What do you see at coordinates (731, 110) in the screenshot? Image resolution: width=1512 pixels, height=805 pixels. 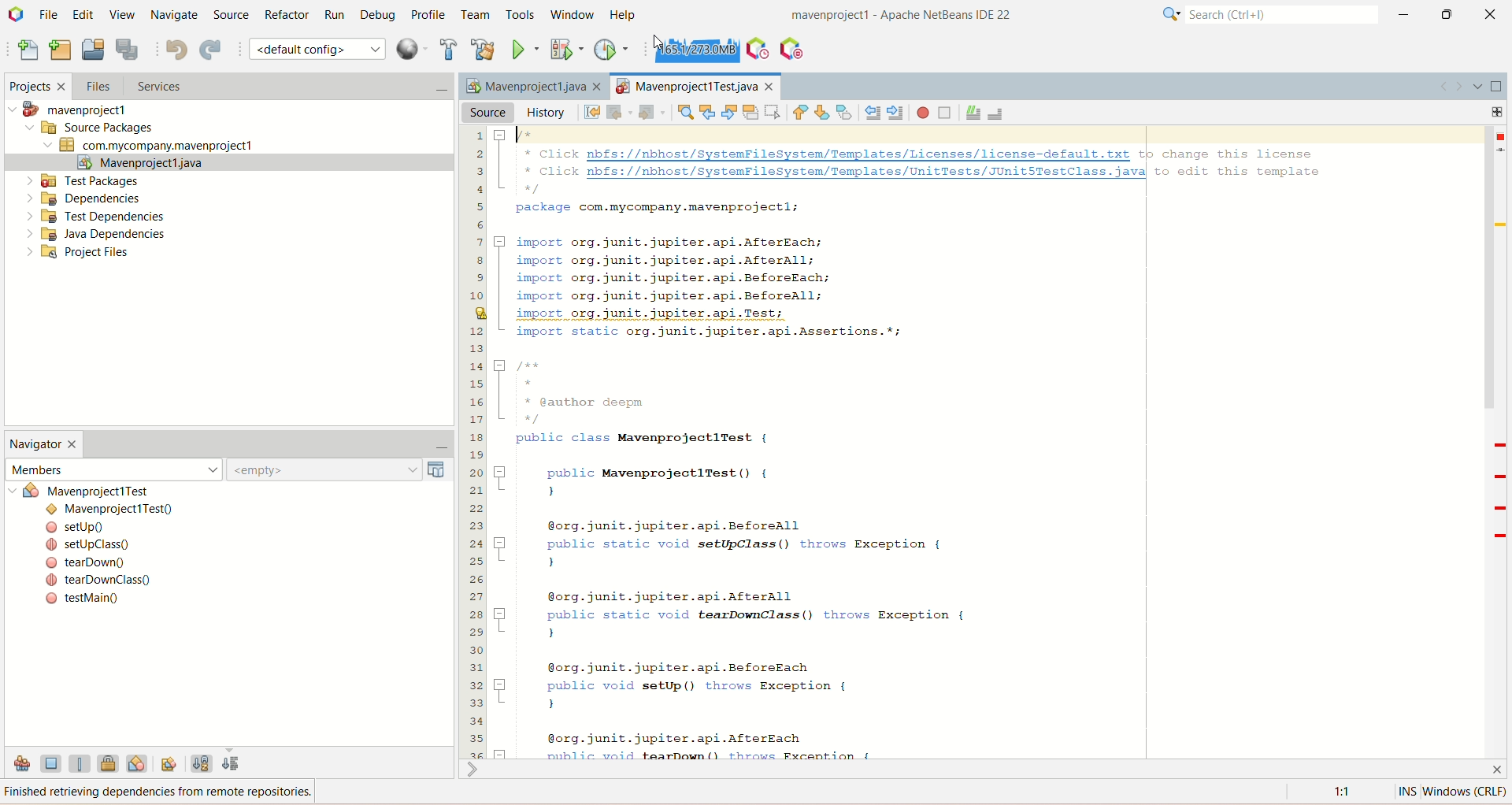 I see `find next occurrence` at bounding box center [731, 110].